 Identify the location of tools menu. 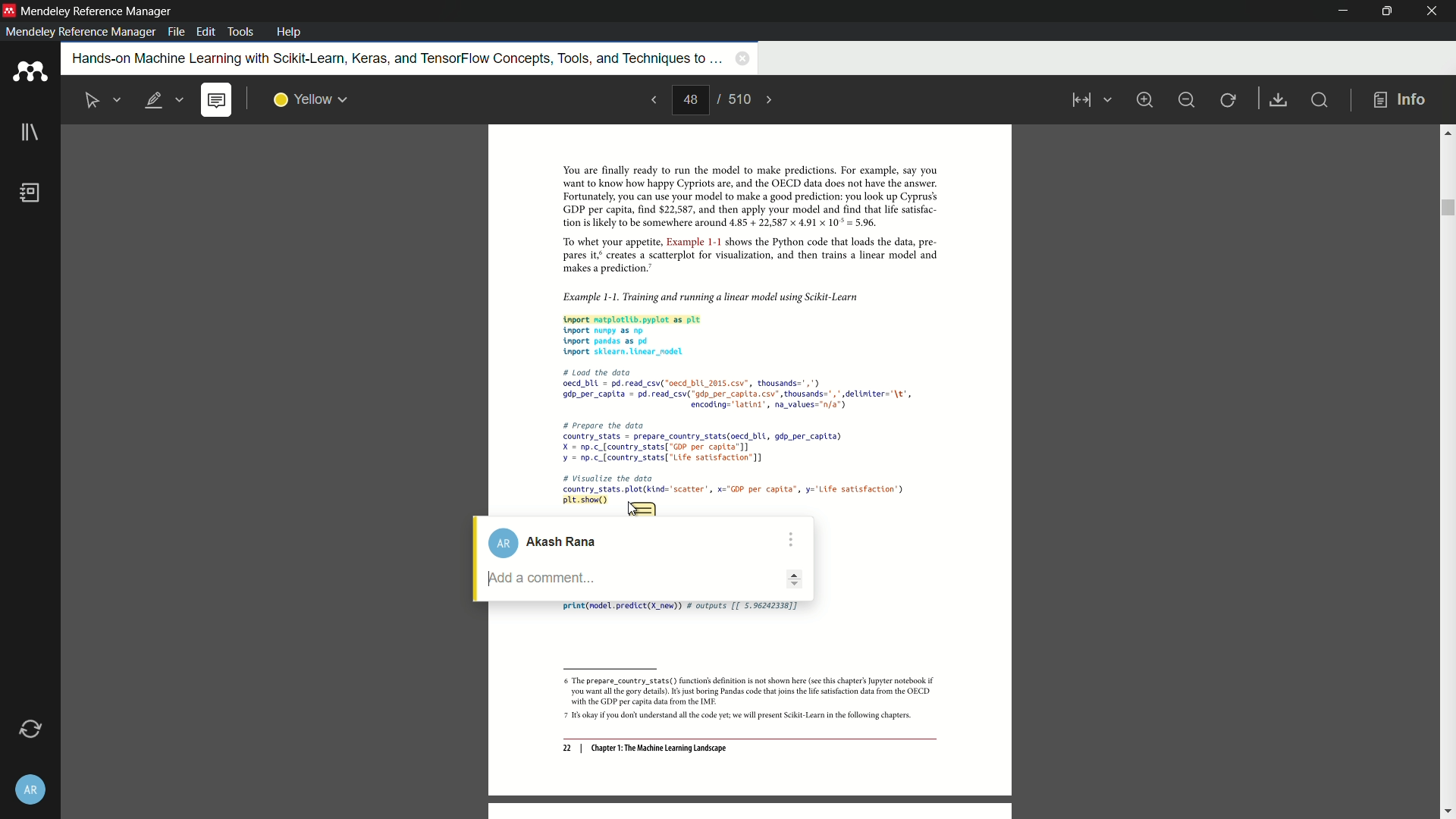
(240, 32).